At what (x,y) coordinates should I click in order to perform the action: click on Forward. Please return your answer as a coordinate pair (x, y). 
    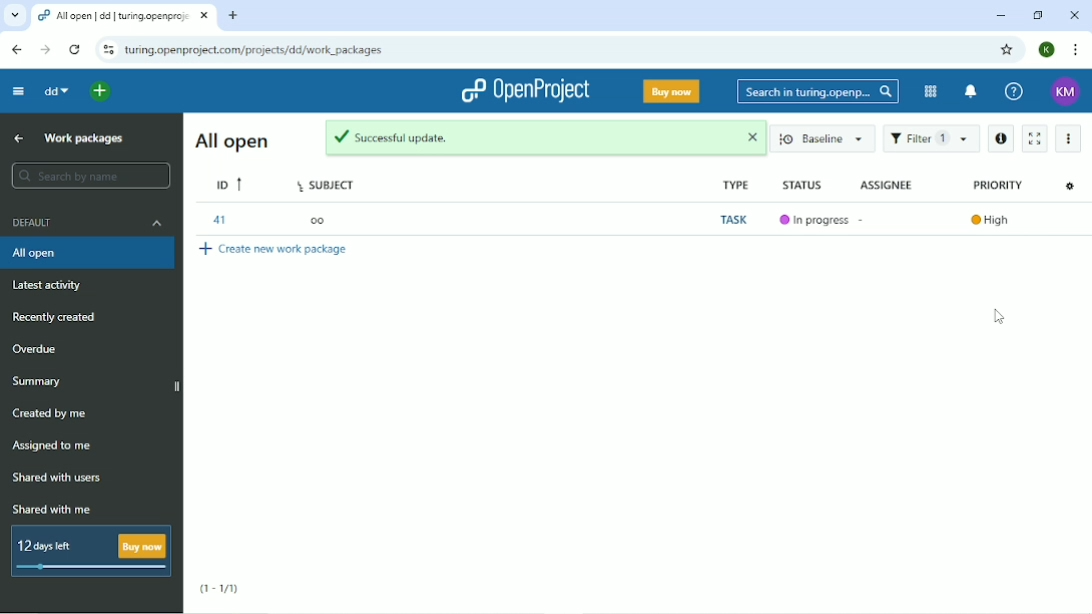
    Looking at the image, I should click on (45, 50).